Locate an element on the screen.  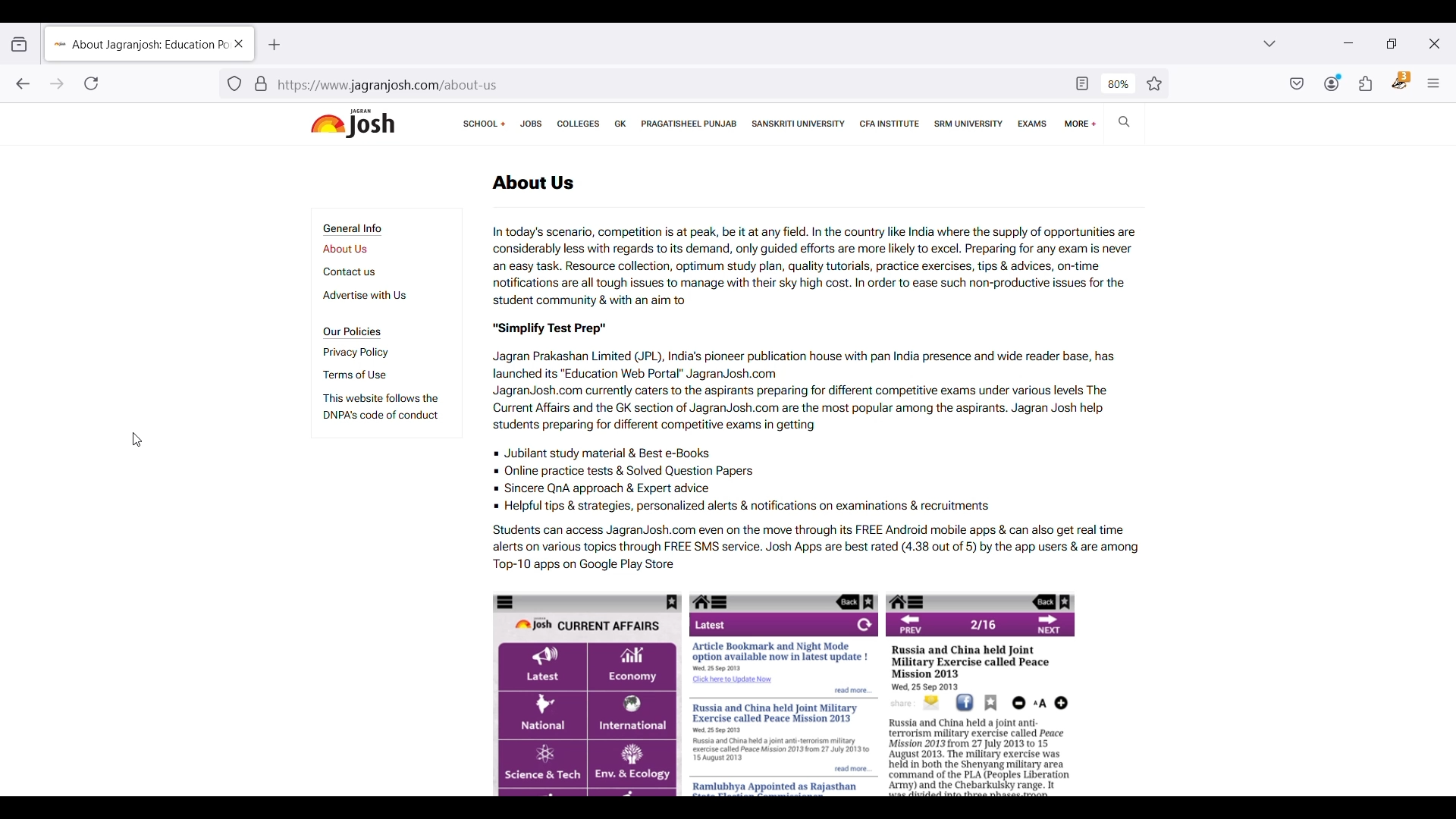
List all tabs is located at coordinates (1270, 43).